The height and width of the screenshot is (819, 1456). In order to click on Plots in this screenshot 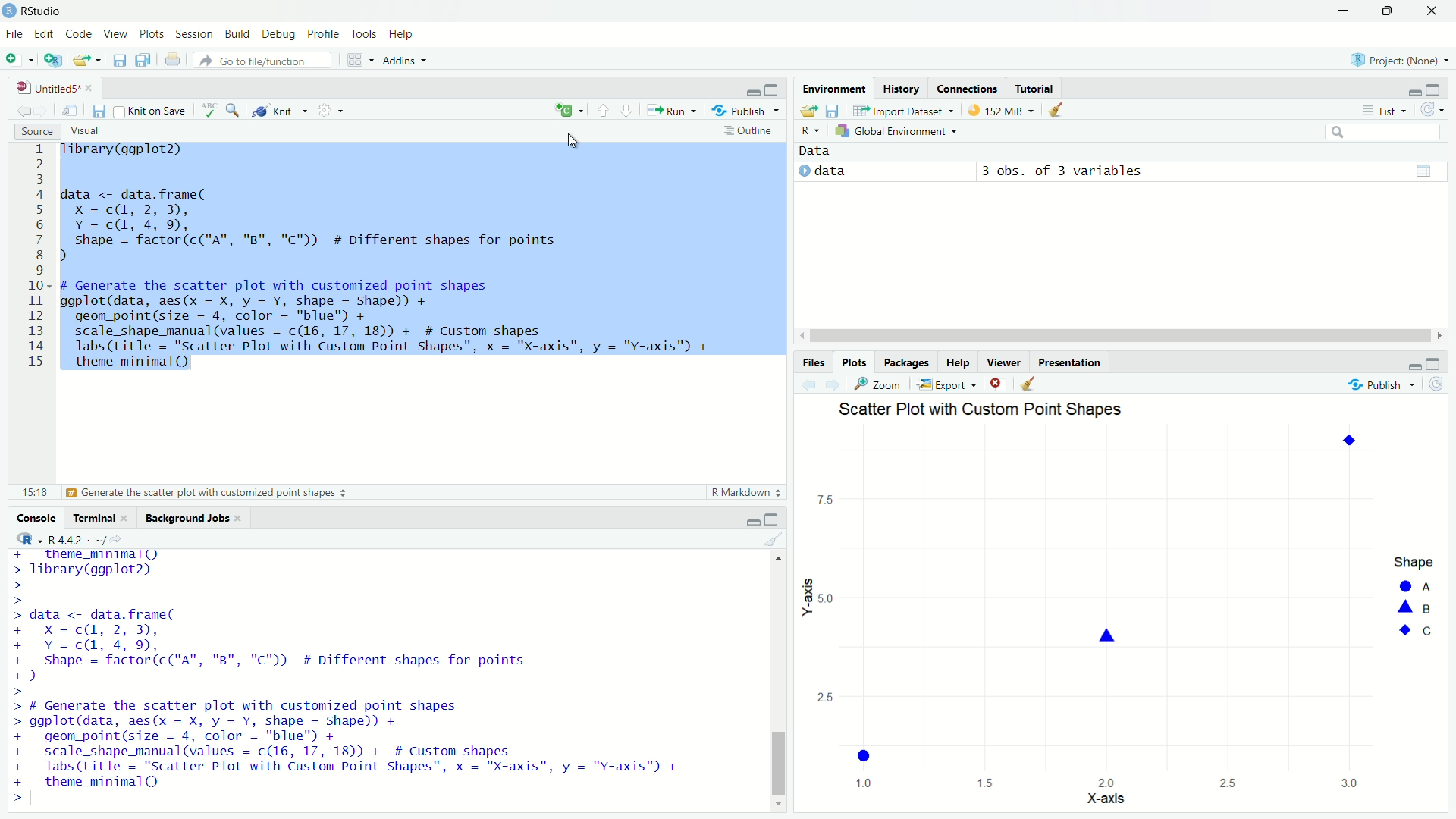, I will do `click(853, 362)`.